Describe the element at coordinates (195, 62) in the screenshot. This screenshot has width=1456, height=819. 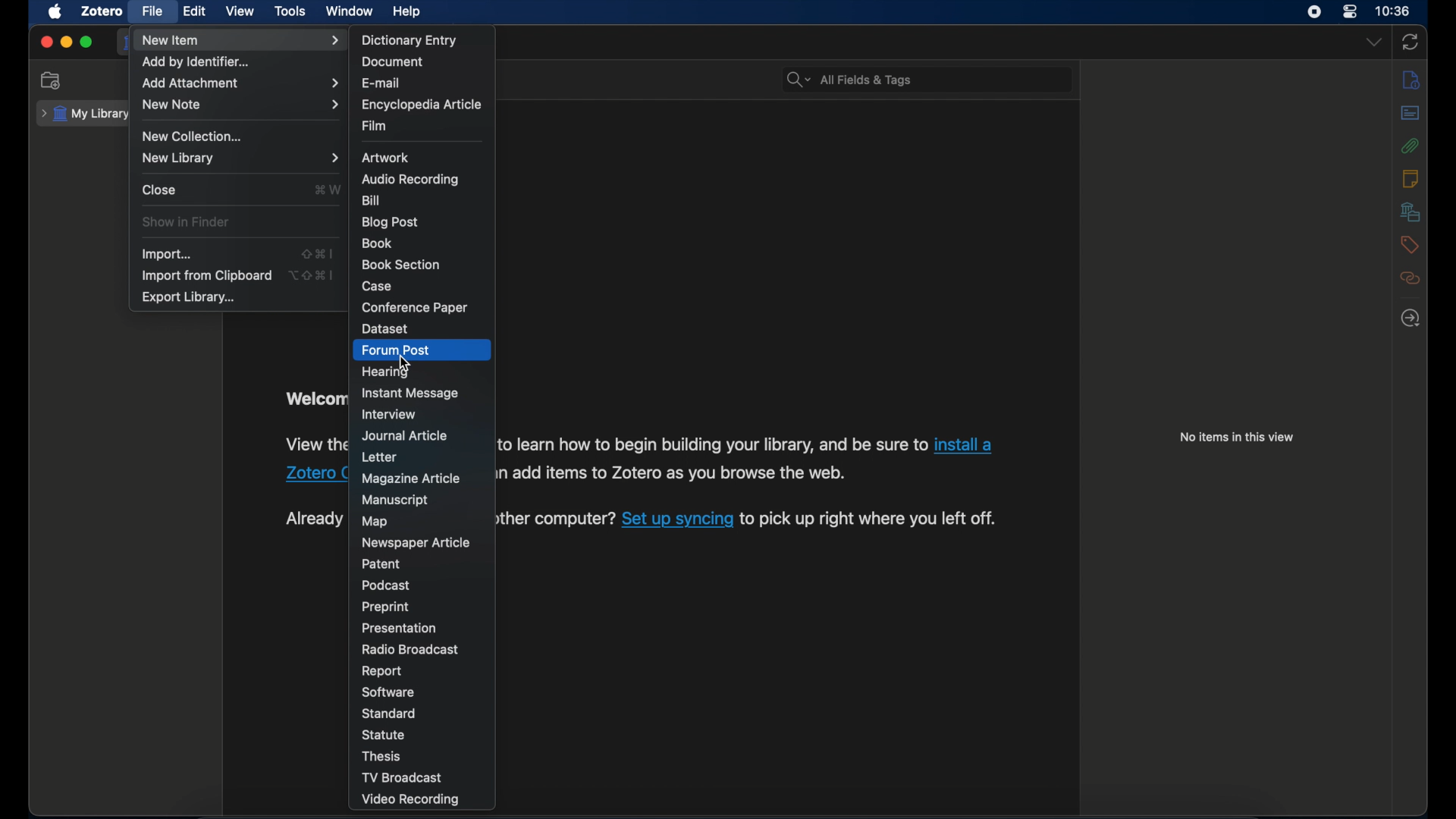
I see `add by identifier` at that location.